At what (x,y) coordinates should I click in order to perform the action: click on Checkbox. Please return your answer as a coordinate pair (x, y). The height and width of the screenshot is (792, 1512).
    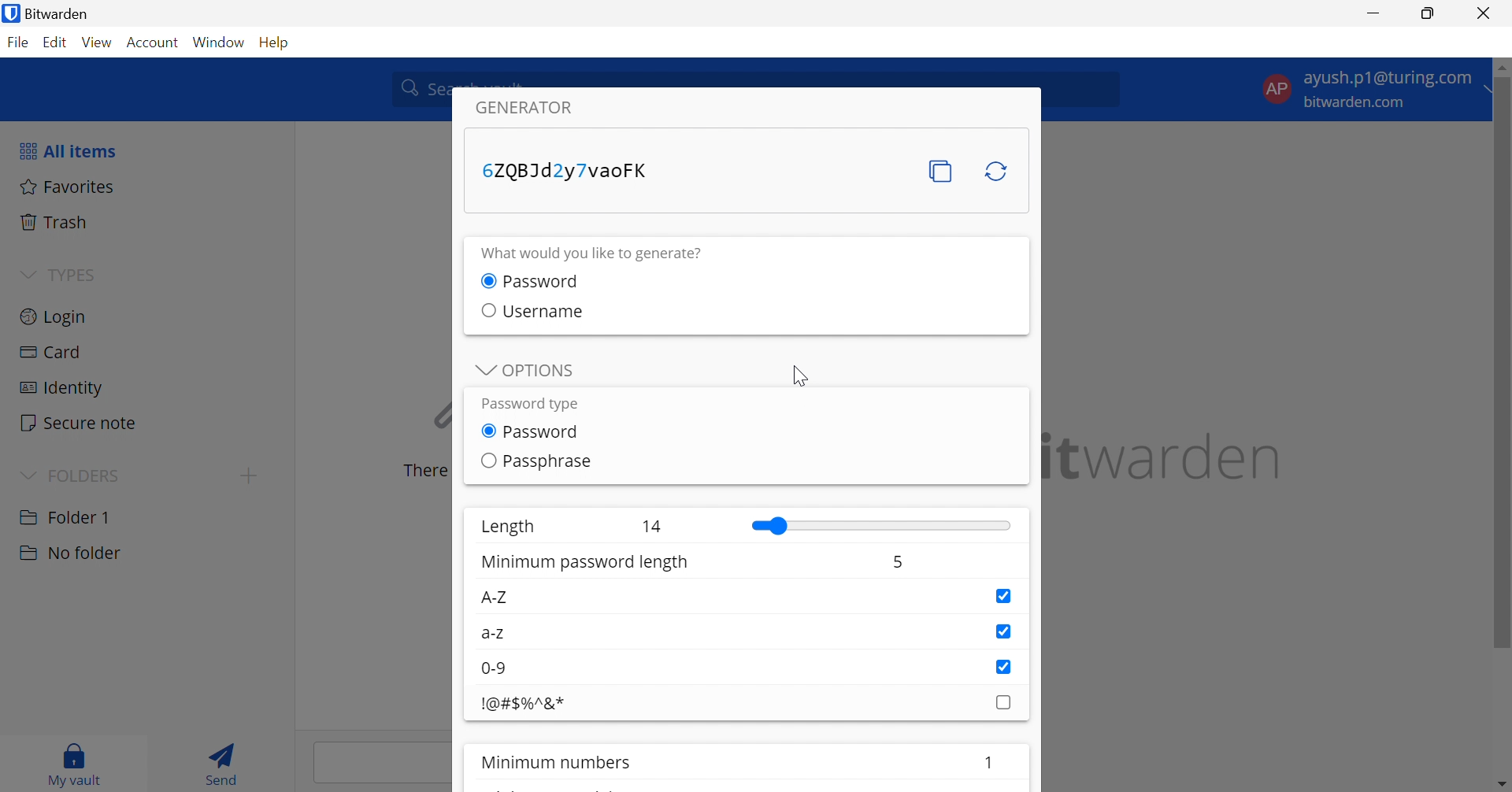
    Looking at the image, I should click on (1003, 666).